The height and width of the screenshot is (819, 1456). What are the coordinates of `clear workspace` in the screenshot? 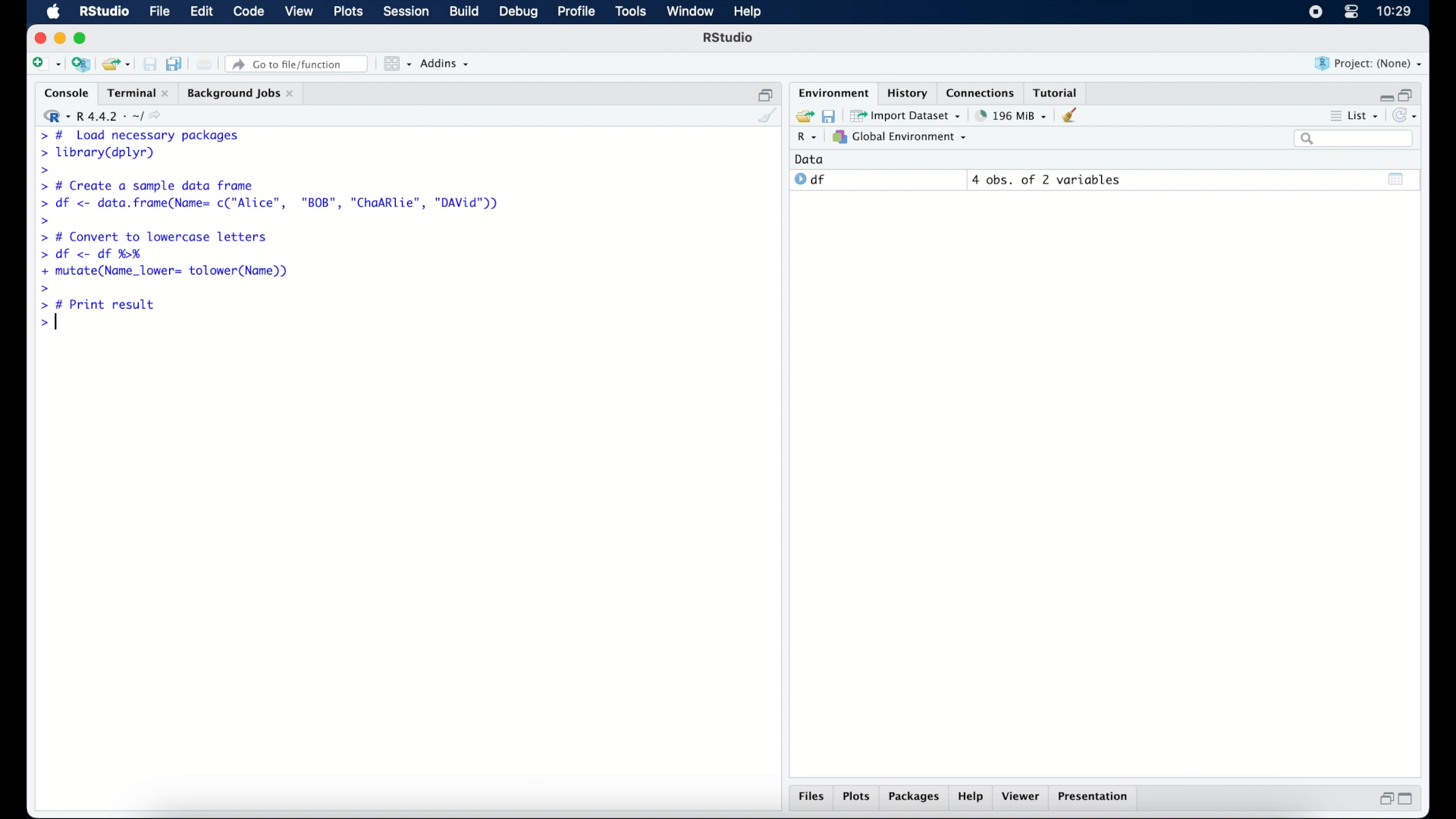 It's located at (1075, 116).